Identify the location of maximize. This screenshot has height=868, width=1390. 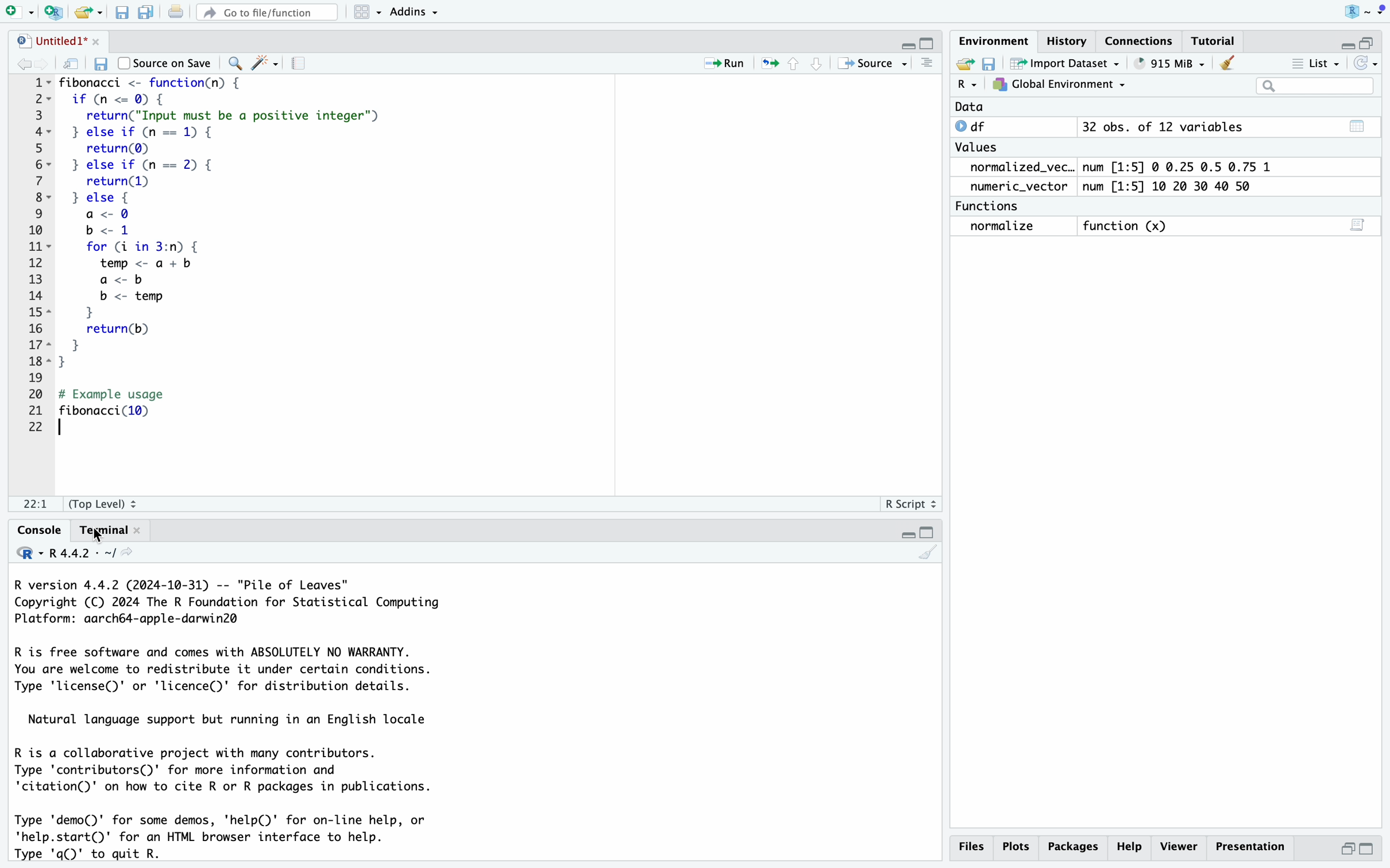
(932, 38).